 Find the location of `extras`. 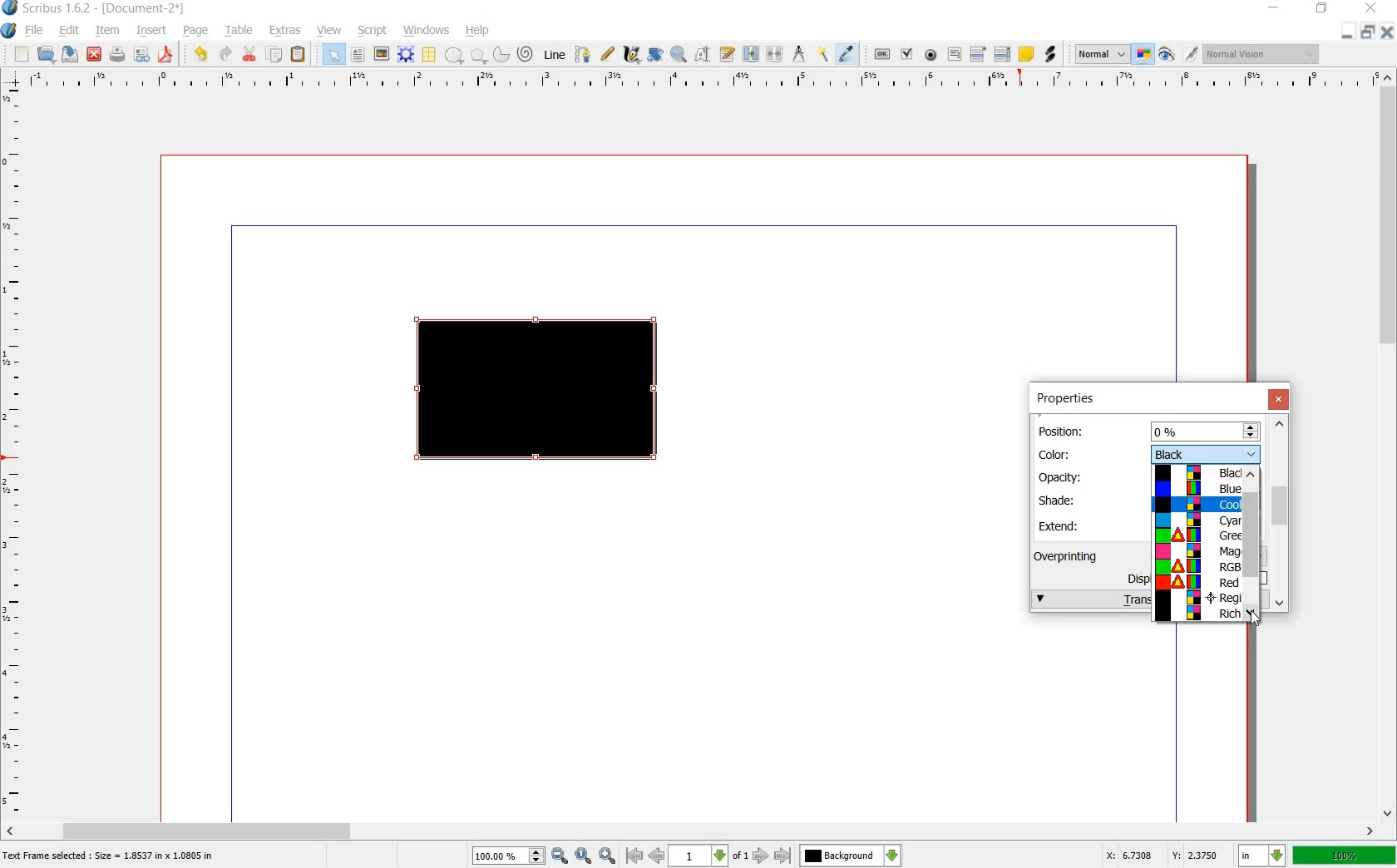

extras is located at coordinates (285, 31).